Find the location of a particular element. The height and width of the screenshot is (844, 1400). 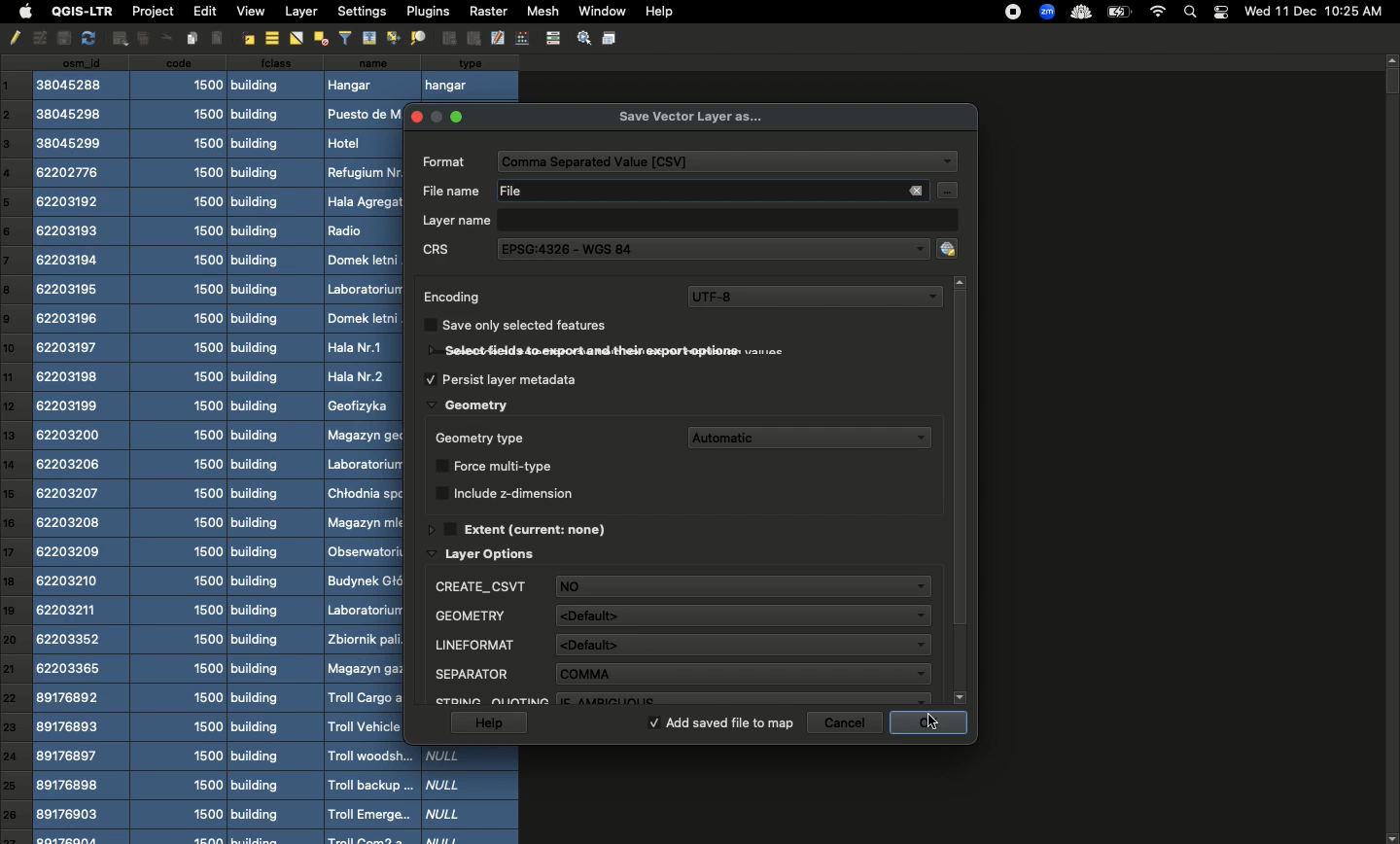

CRS is located at coordinates (447, 251).